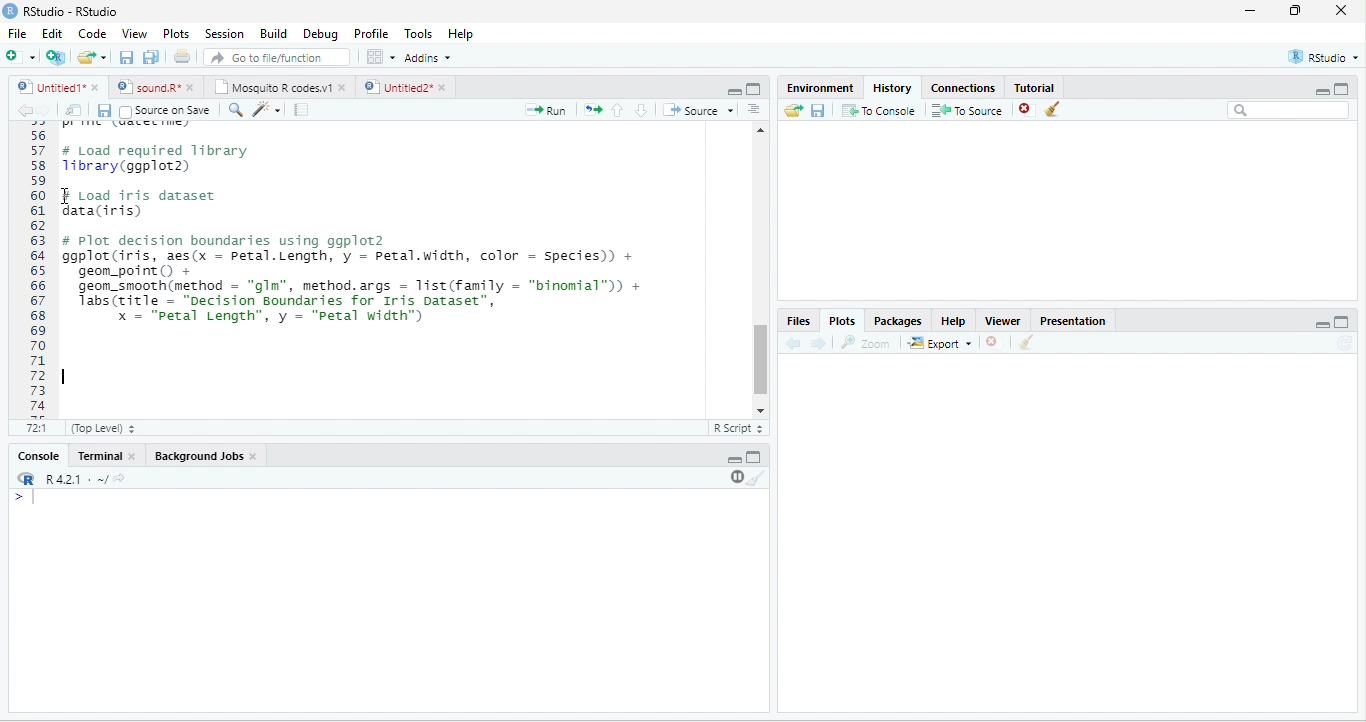 Image resolution: width=1366 pixels, height=722 pixels. Describe the element at coordinates (192, 88) in the screenshot. I see `close` at that location.